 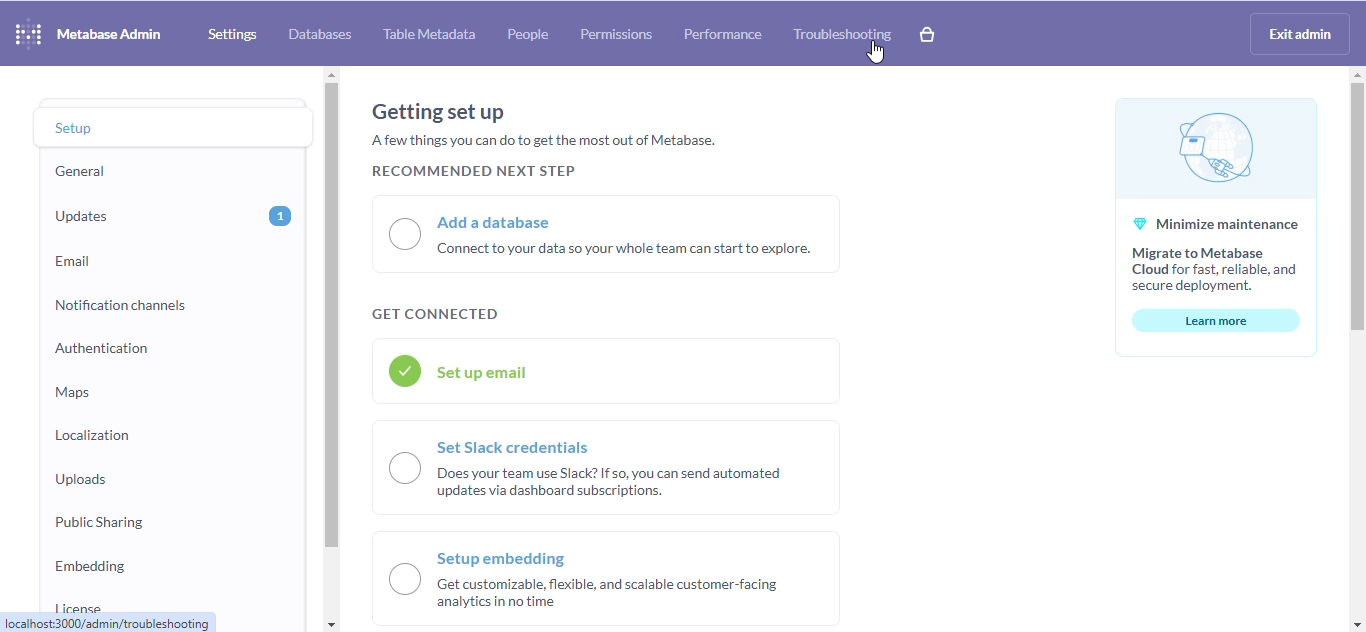 I want to click on permissions, so click(x=617, y=35).